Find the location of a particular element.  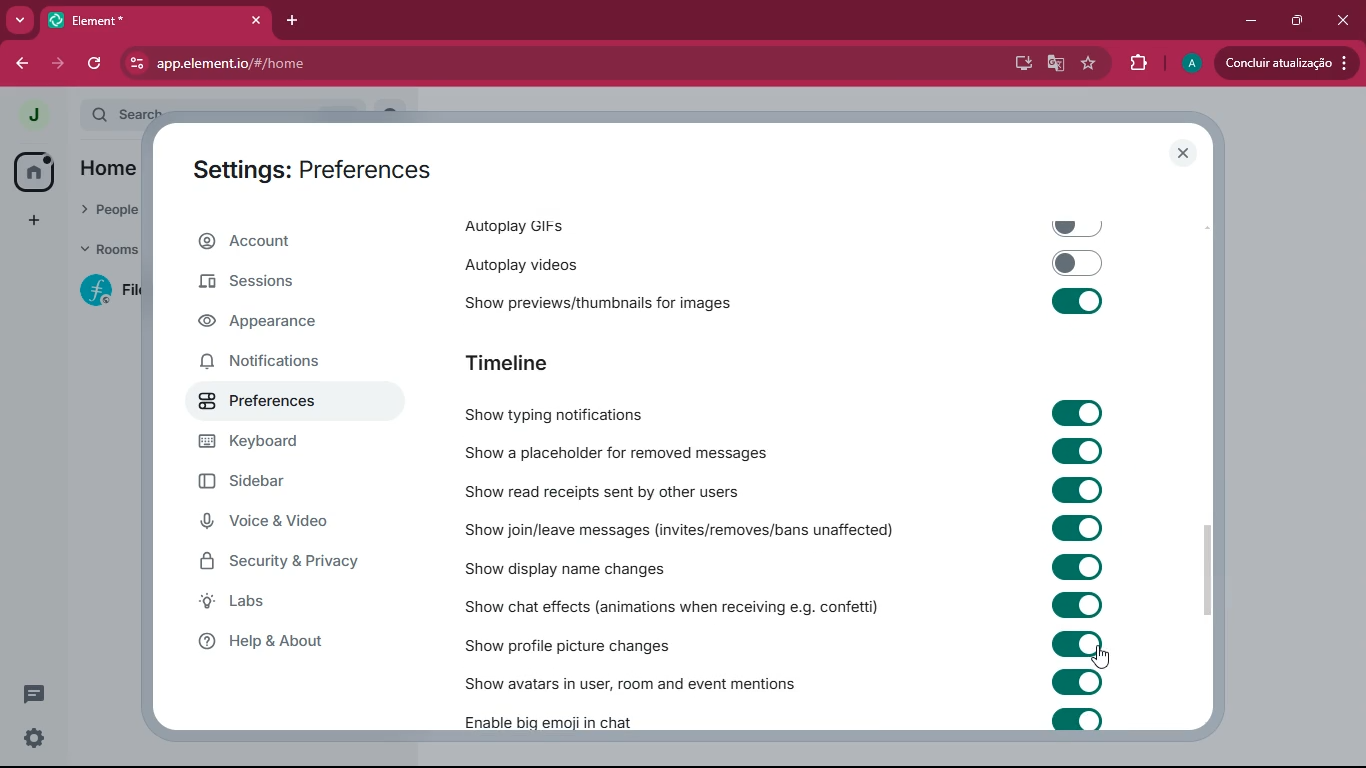

close is located at coordinates (1340, 19).